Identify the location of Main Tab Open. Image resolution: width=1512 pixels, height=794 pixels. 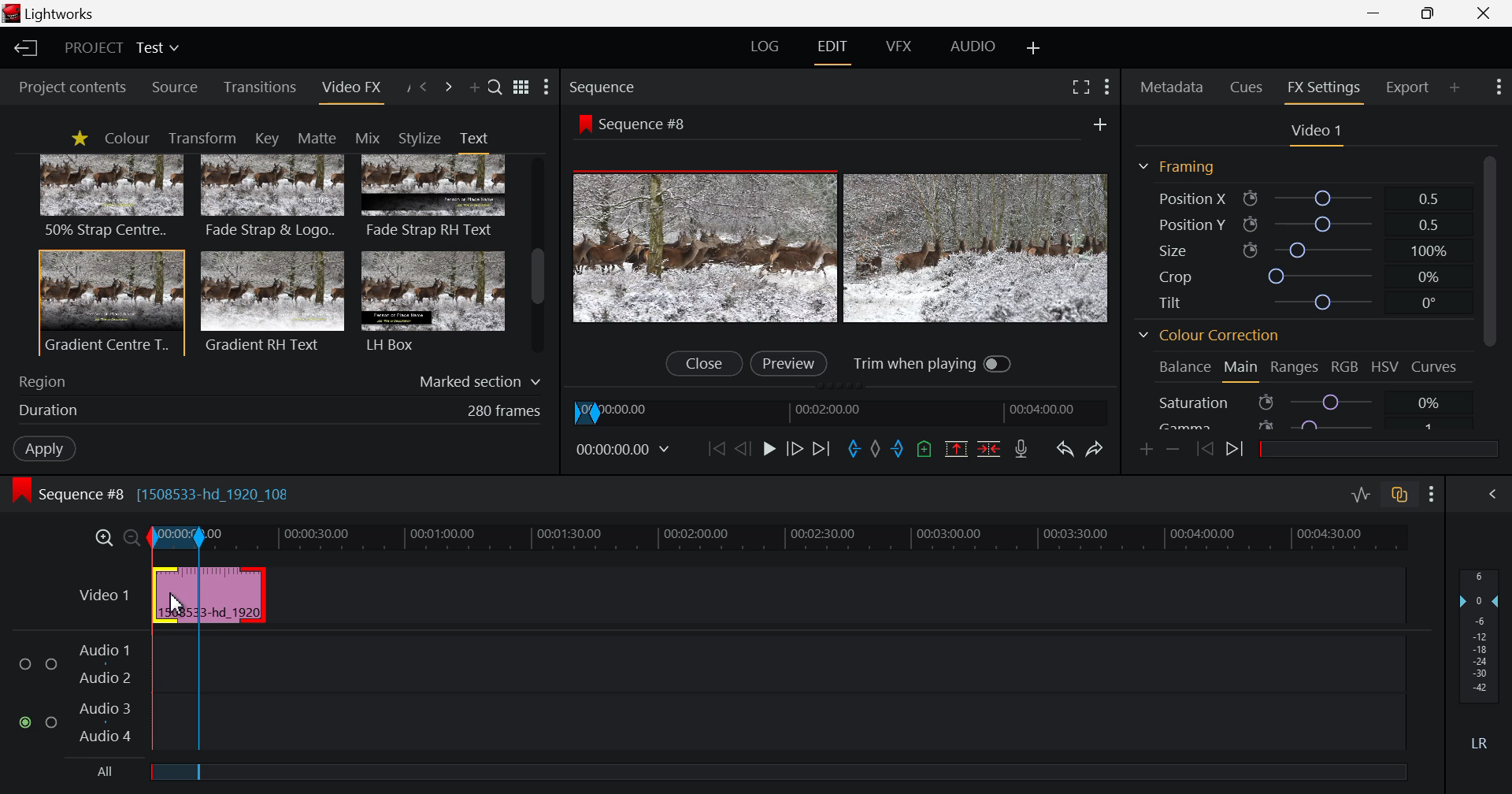
(1242, 369).